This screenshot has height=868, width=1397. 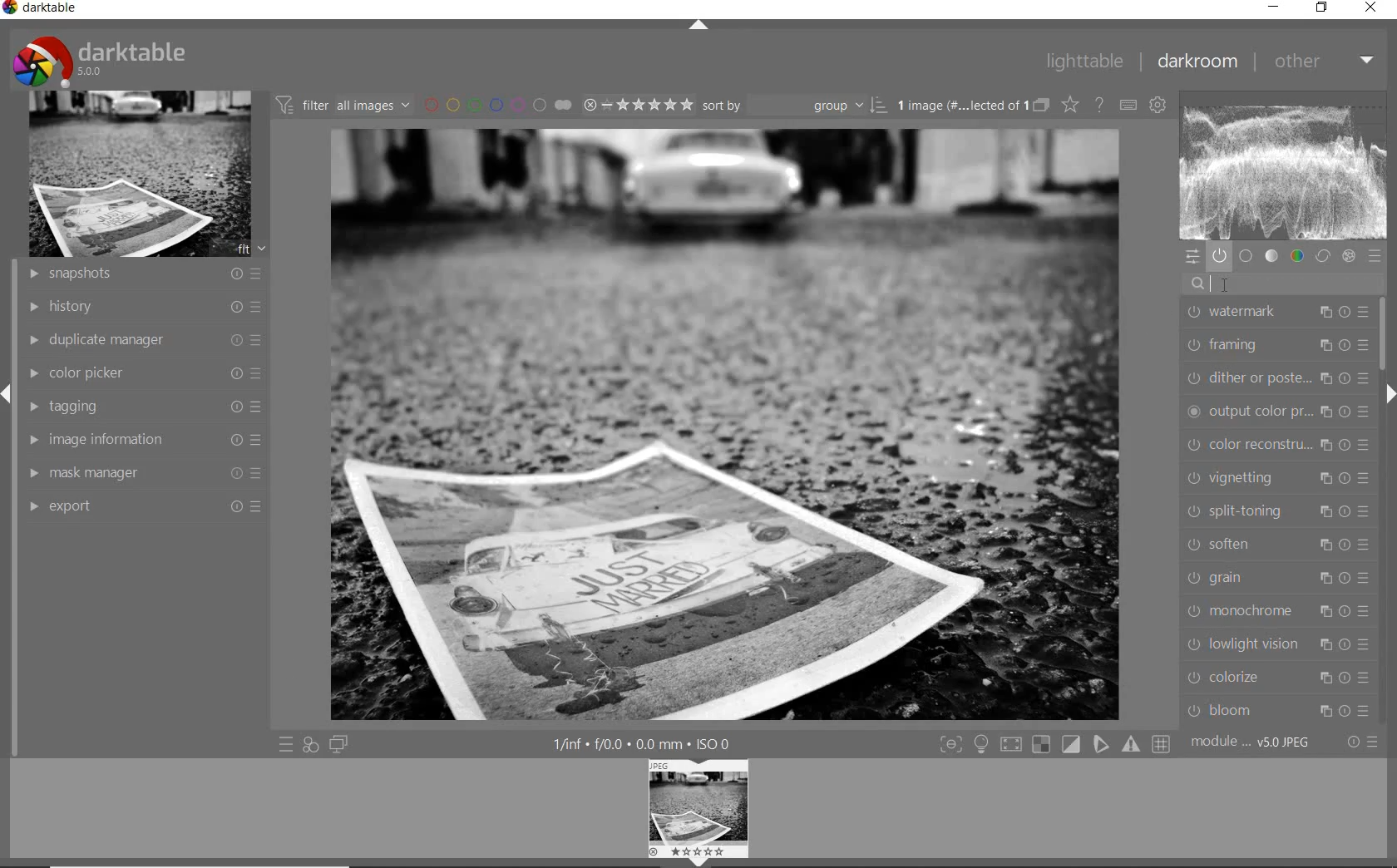 What do you see at coordinates (1276, 512) in the screenshot?
I see `split toning` at bounding box center [1276, 512].